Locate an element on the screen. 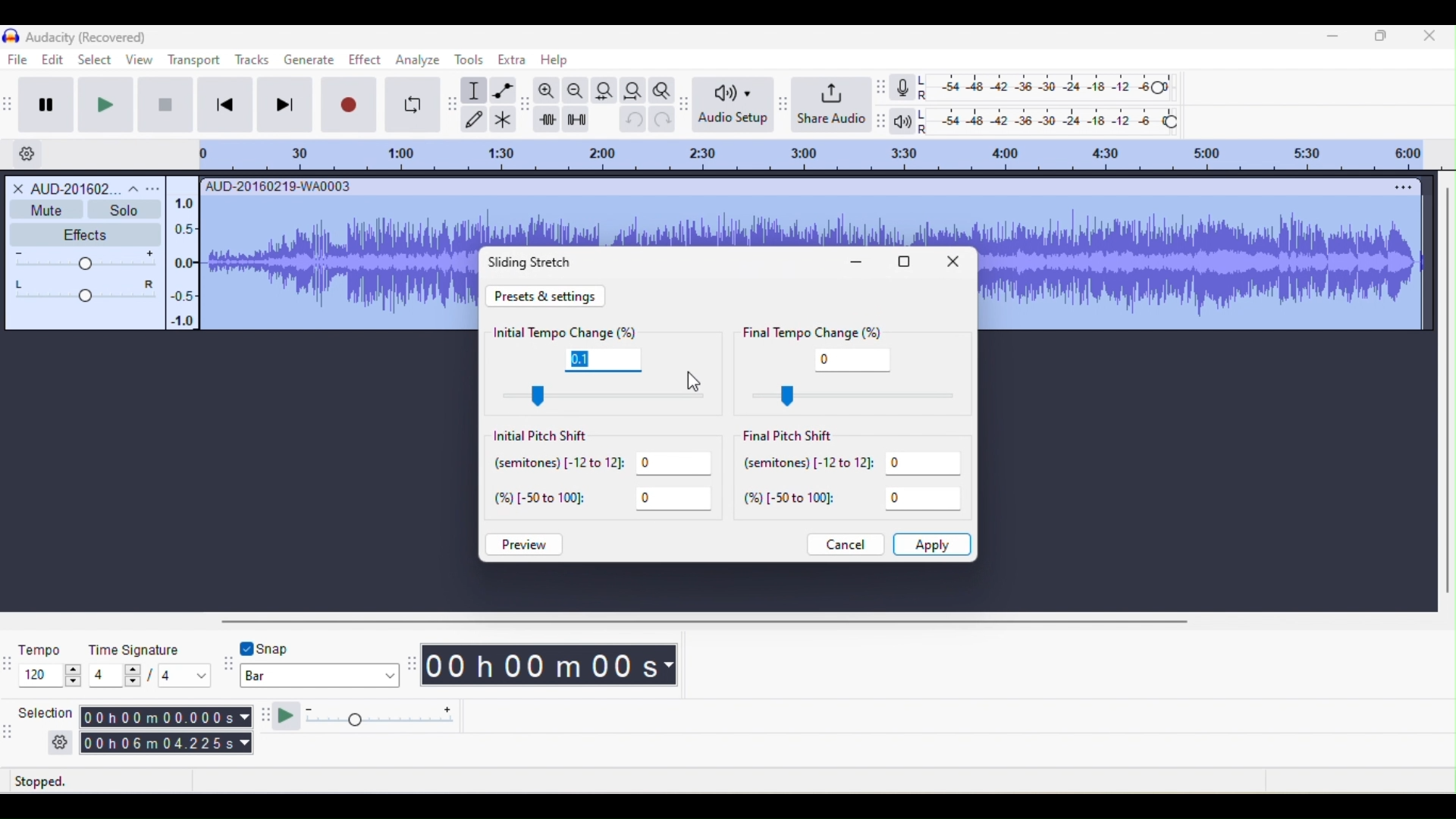  horizontal scroll bar is located at coordinates (715, 620).